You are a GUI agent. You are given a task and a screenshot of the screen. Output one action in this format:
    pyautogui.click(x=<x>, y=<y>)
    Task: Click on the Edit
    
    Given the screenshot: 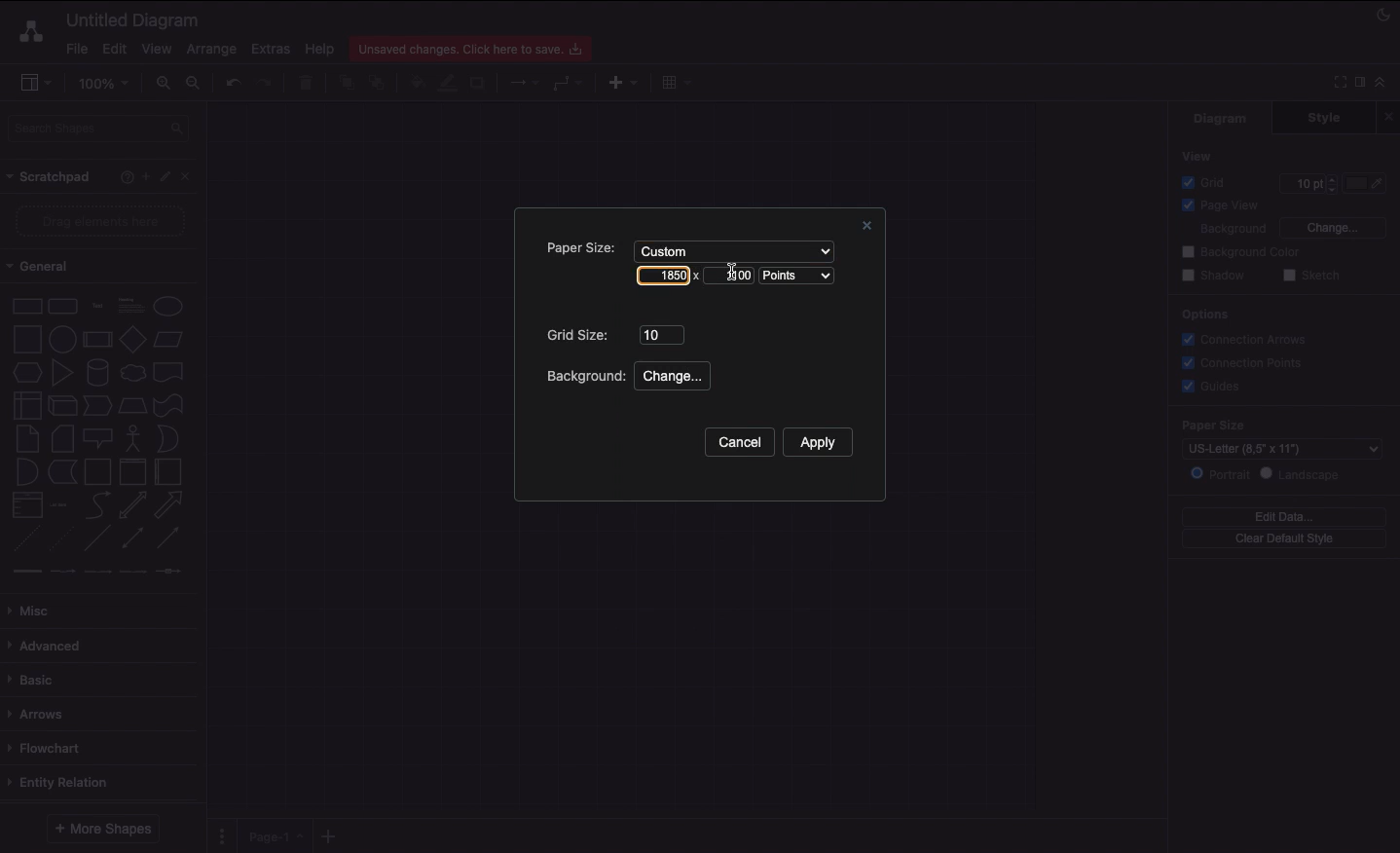 What is the action you would take?
    pyautogui.click(x=112, y=49)
    